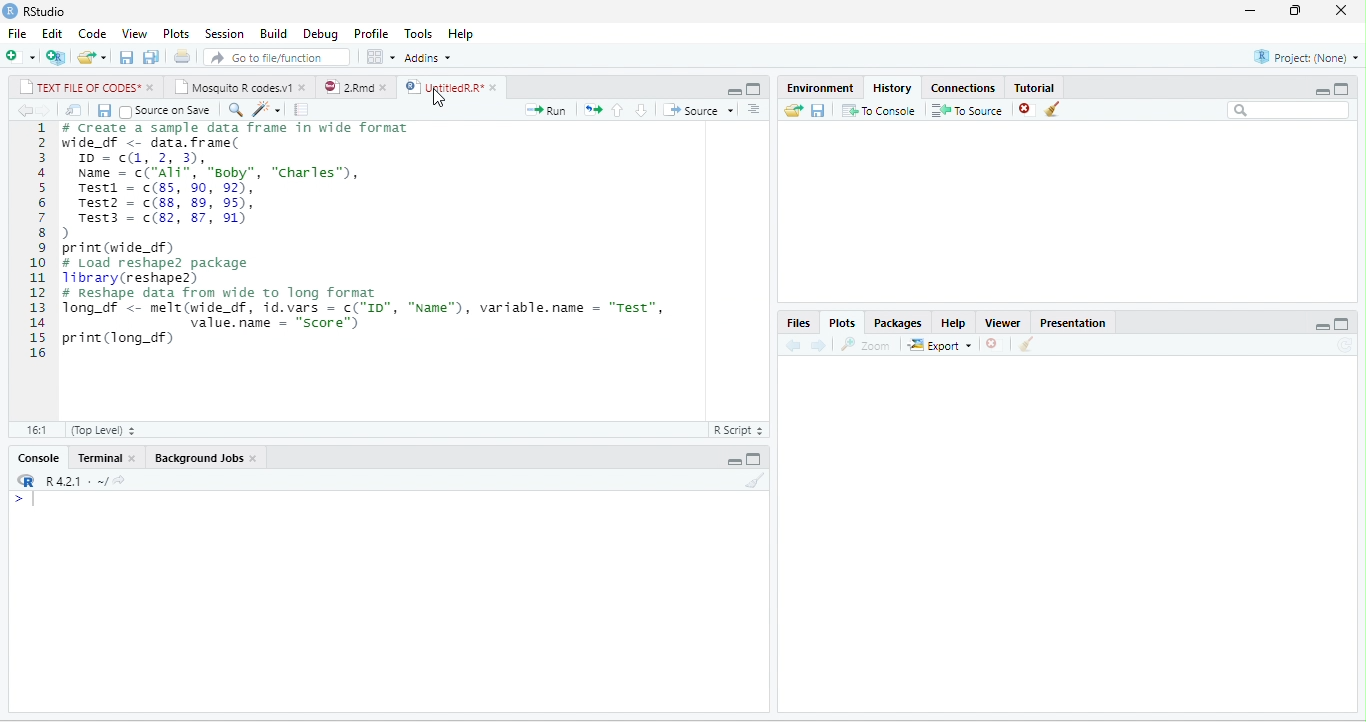 The image size is (1366, 722). Describe the element at coordinates (98, 457) in the screenshot. I see `Terminal` at that location.